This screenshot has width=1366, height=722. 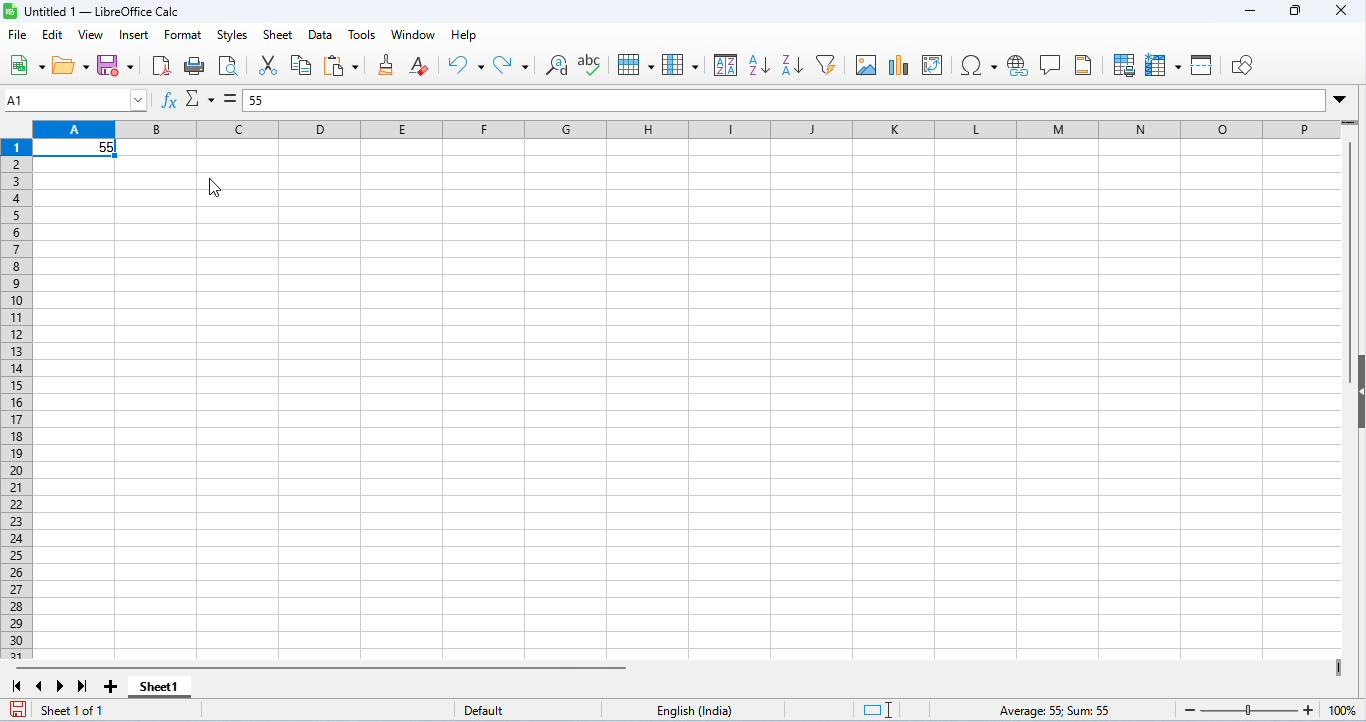 What do you see at coordinates (785, 100) in the screenshot?
I see `formula bar` at bounding box center [785, 100].